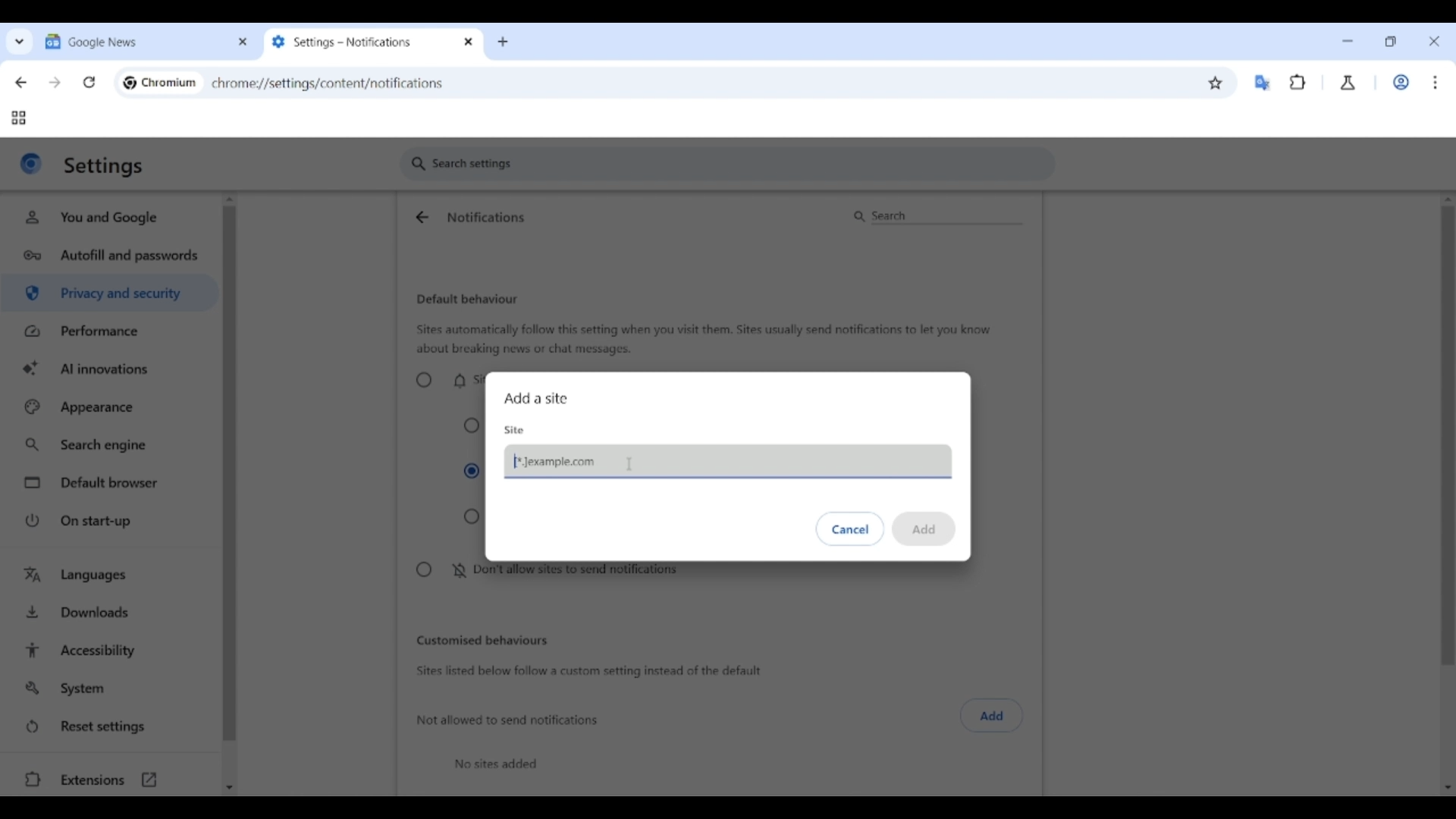  Describe the element at coordinates (1435, 82) in the screenshot. I see `Customize and control Chromium` at that location.